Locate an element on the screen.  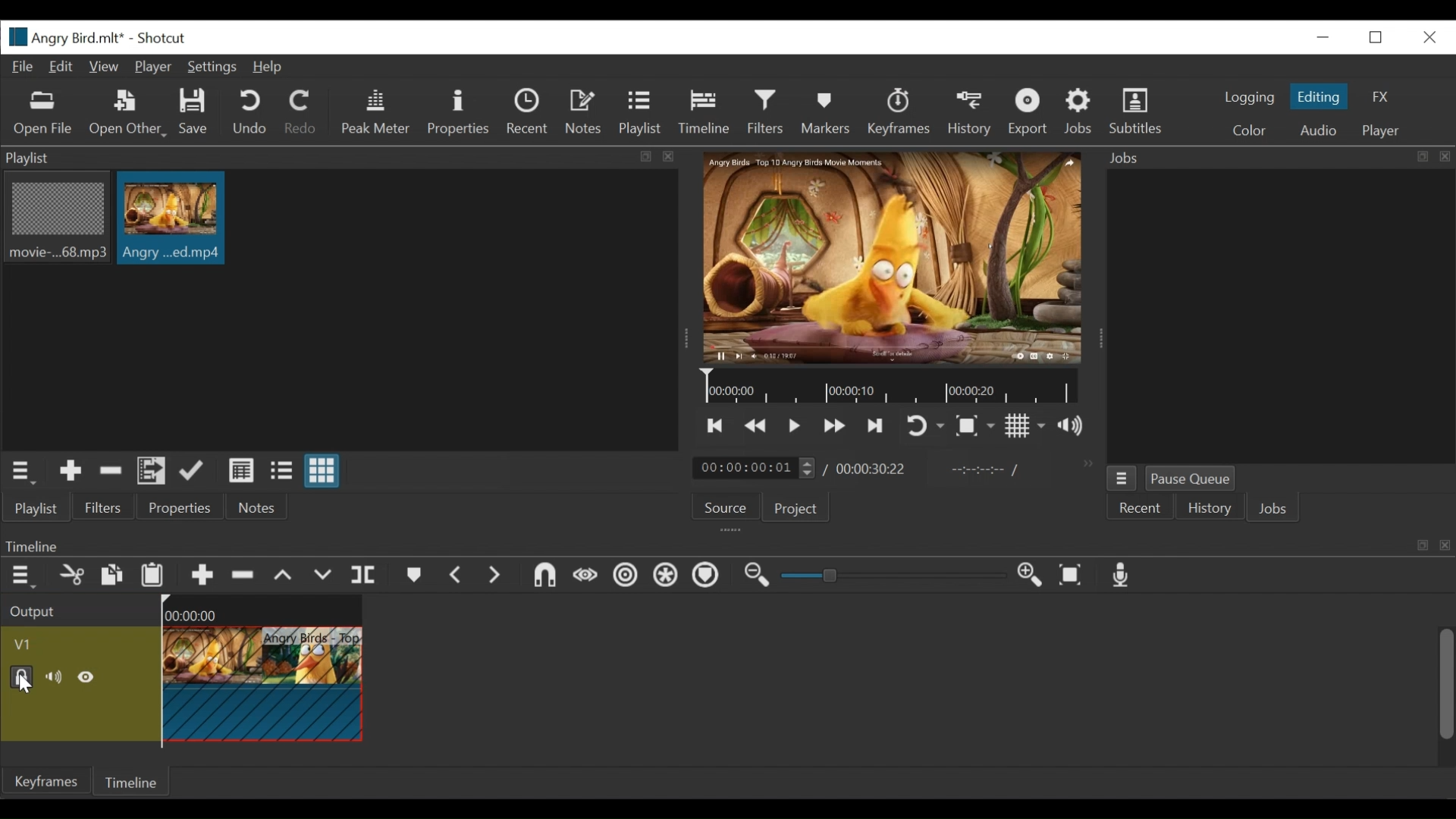
Previous marker is located at coordinates (458, 576).